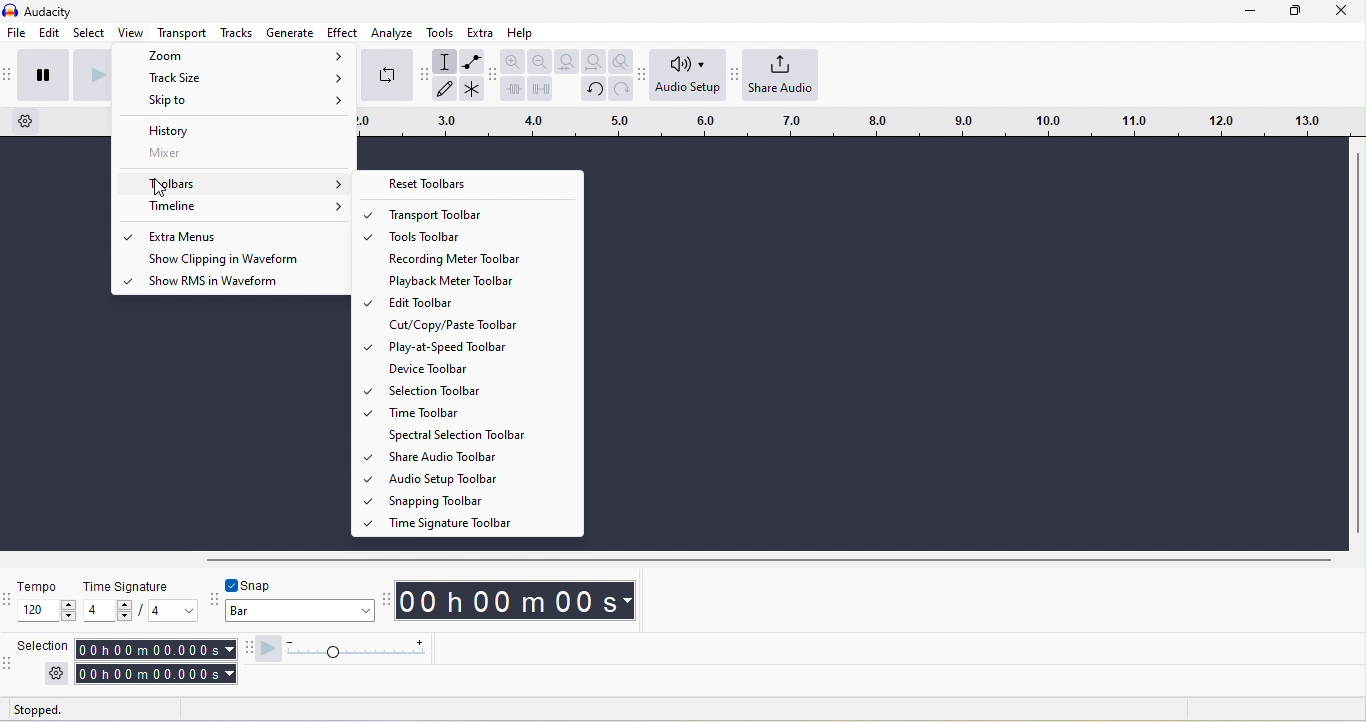  I want to click on Snapping tool bar, so click(480, 500).